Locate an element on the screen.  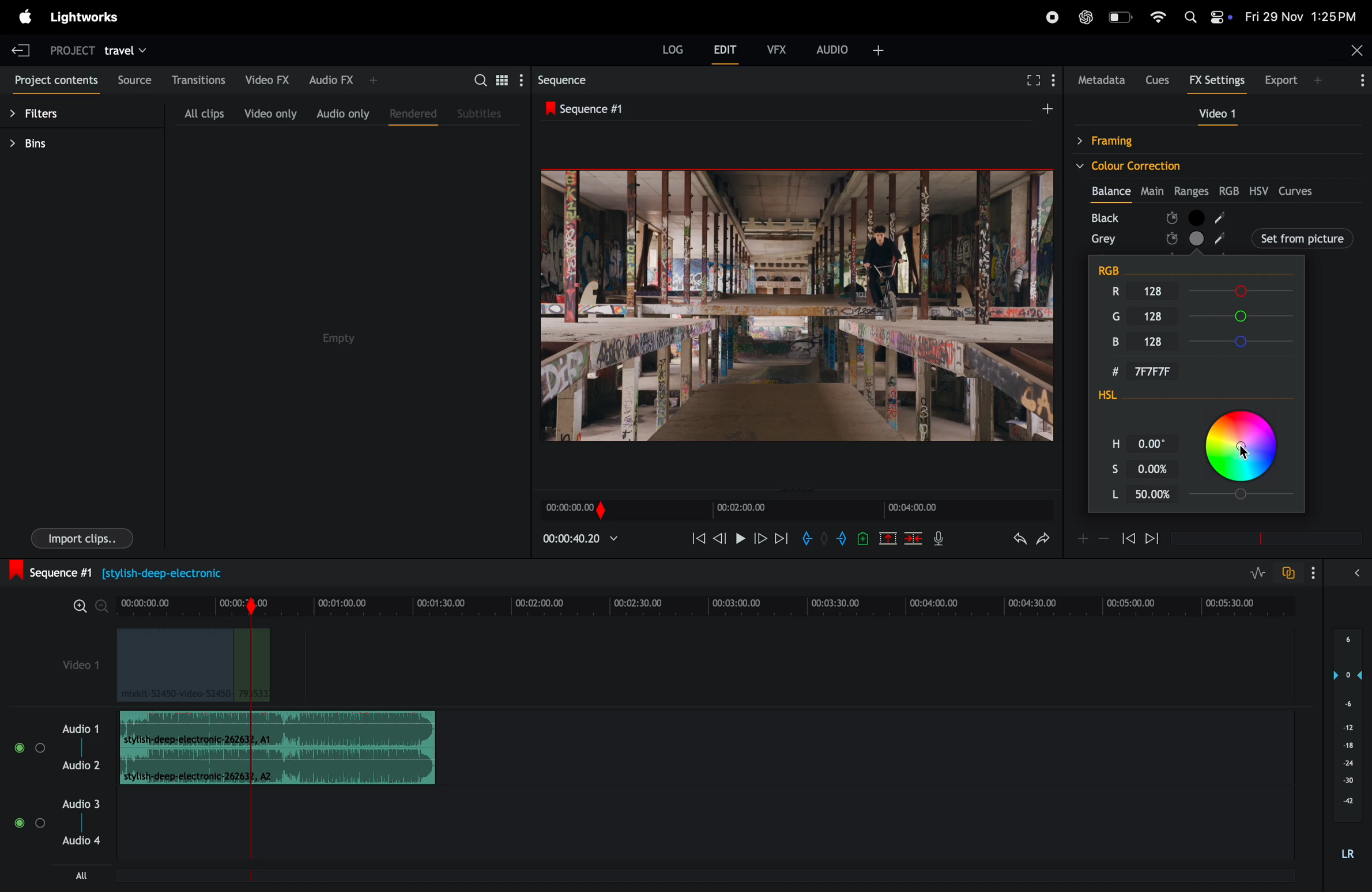
rewind  is located at coordinates (698, 538).